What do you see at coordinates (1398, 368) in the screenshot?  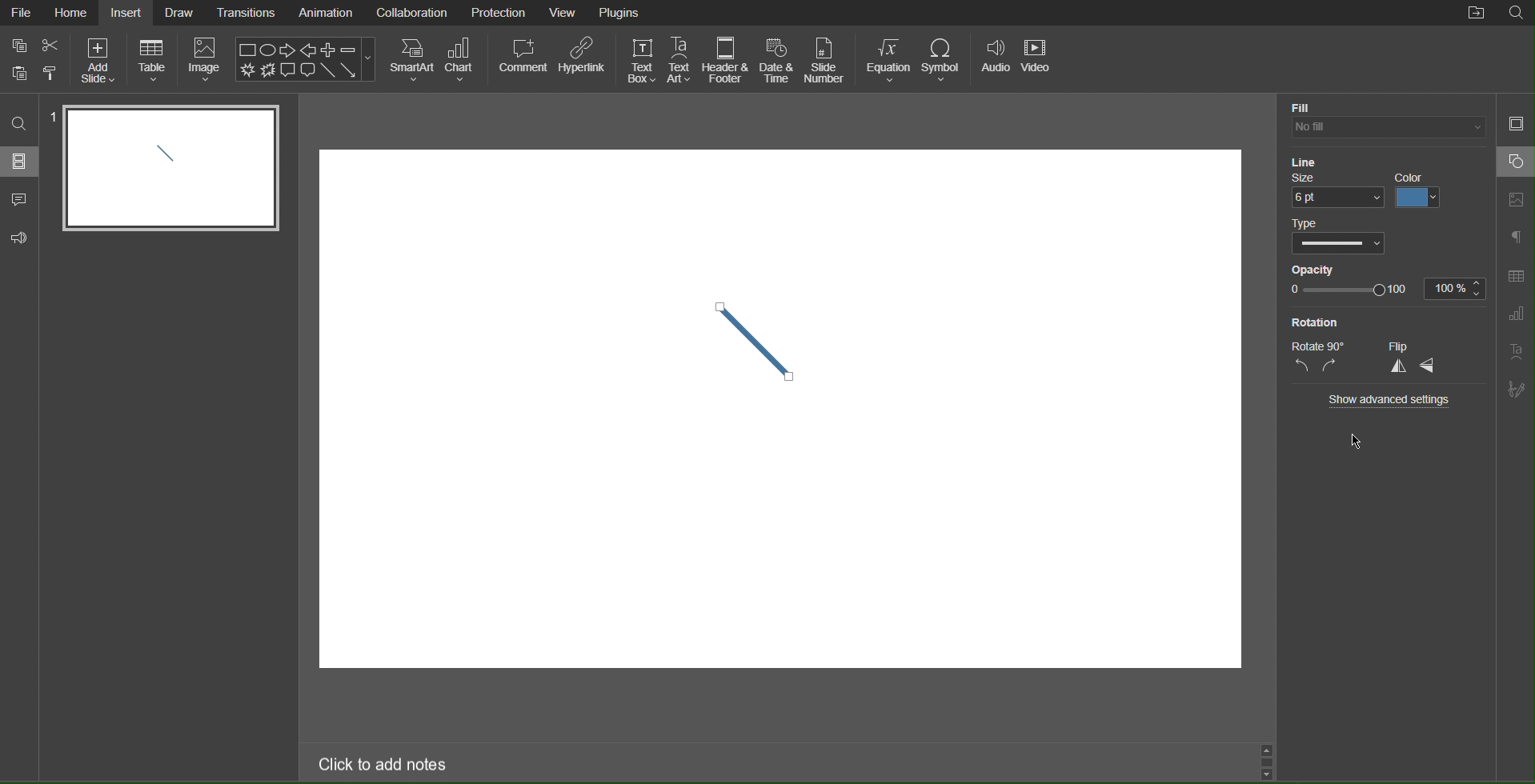 I see `Vertical Flip` at bounding box center [1398, 368].